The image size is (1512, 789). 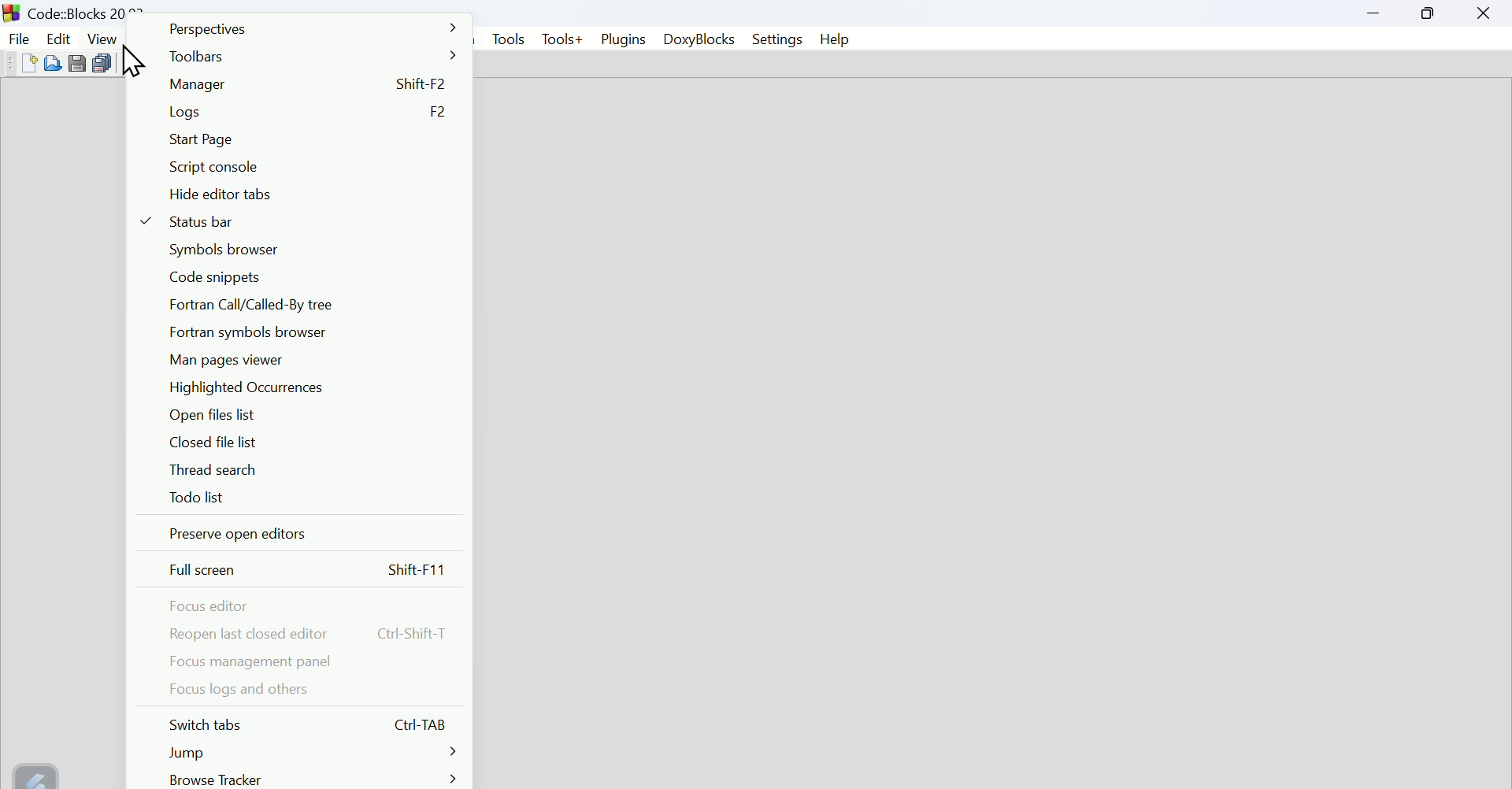 What do you see at coordinates (53, 63) in the screenshot?
I see `Open file` at bounding box center [53, 63].